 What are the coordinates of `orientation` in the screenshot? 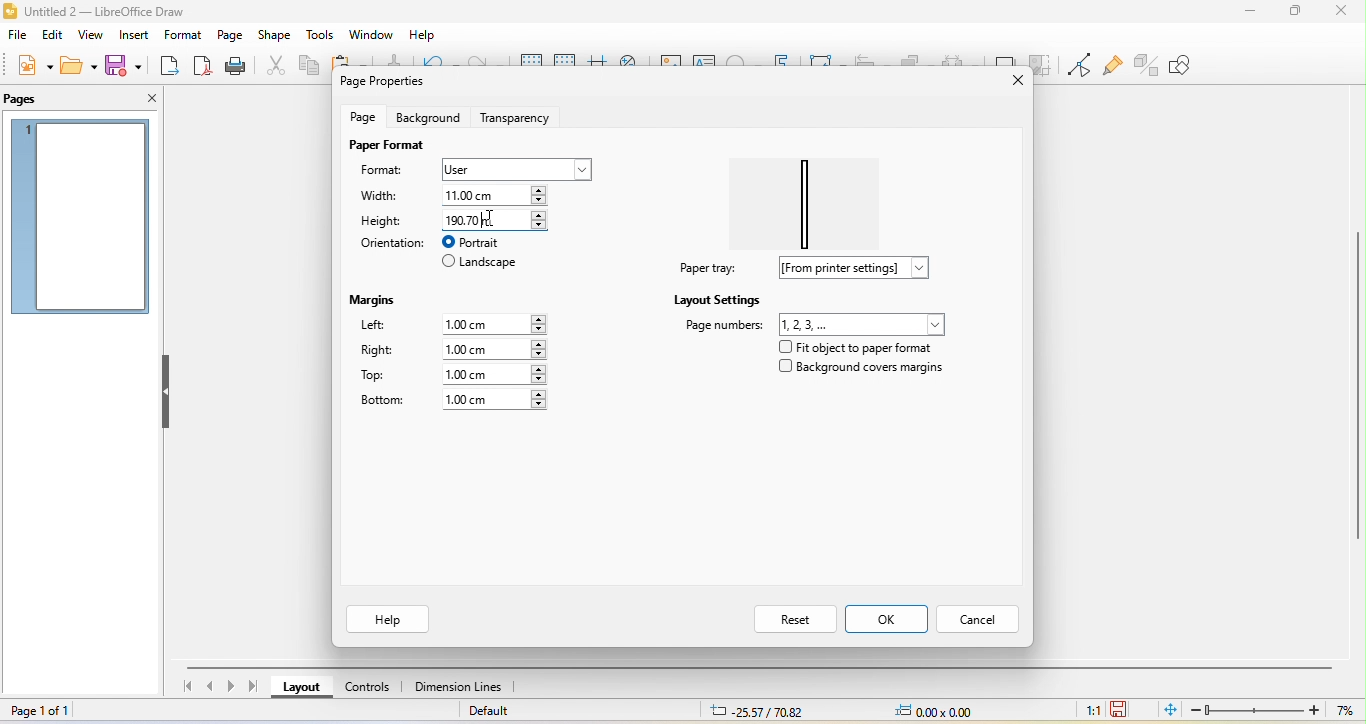 It's located at (390, 243).